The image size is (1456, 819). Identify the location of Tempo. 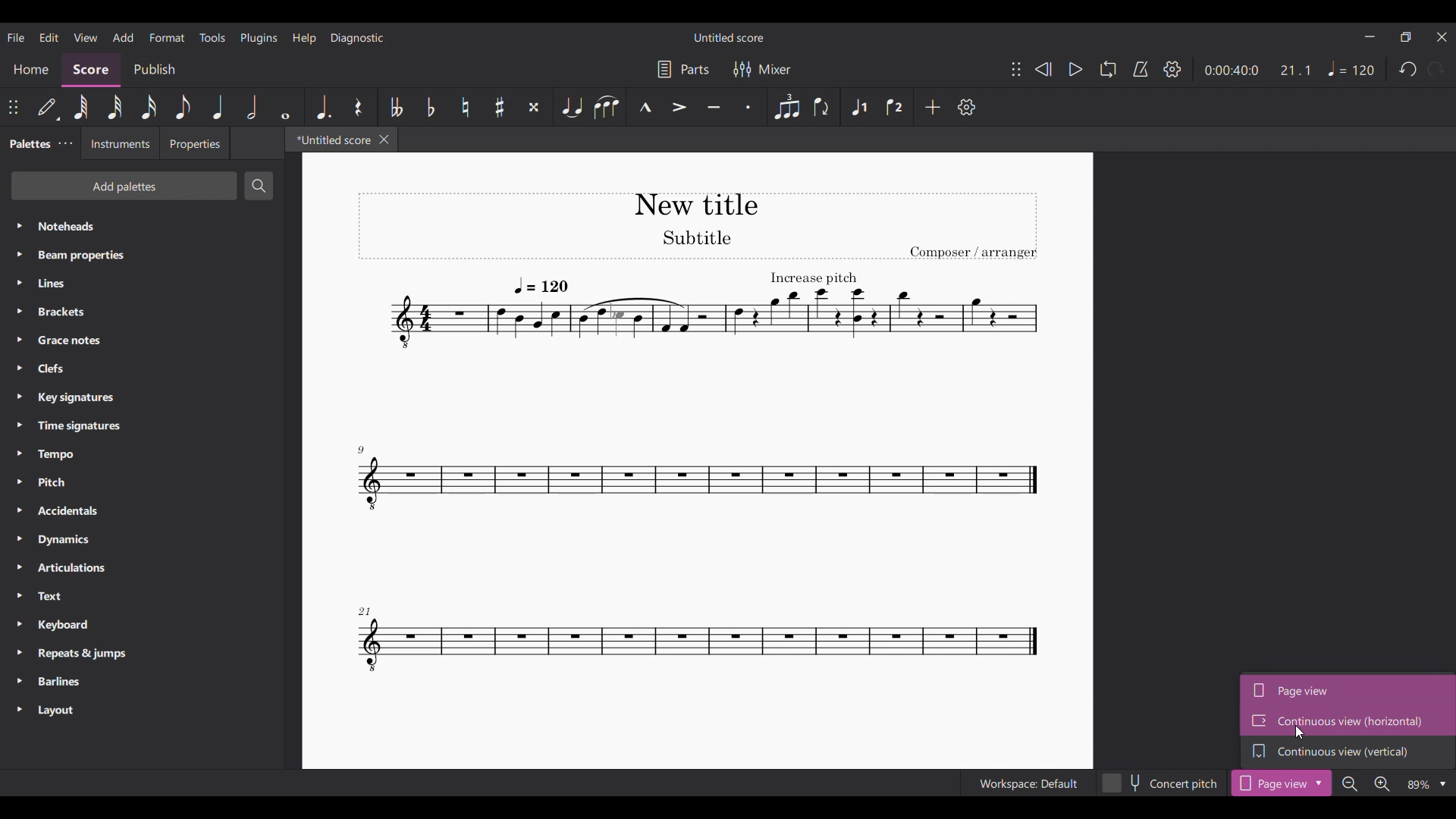
(1351, 68).